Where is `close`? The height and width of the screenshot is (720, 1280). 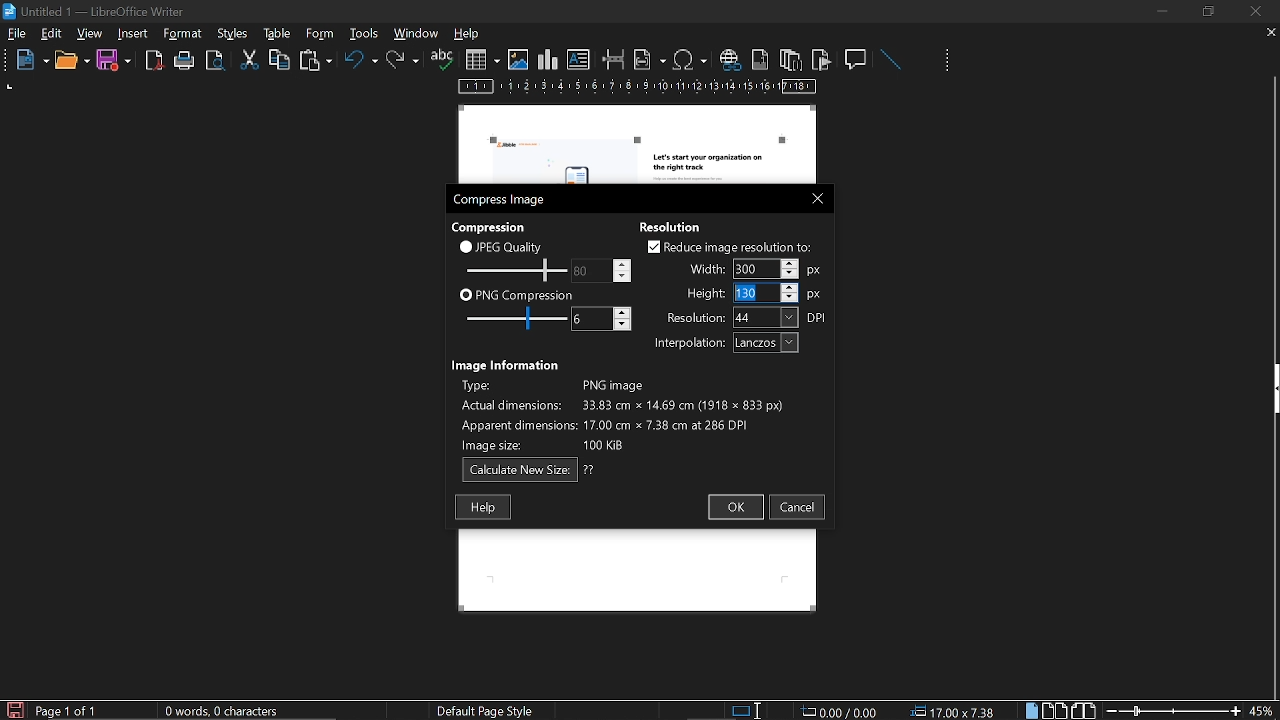 close is located at coordinates (813, 197).